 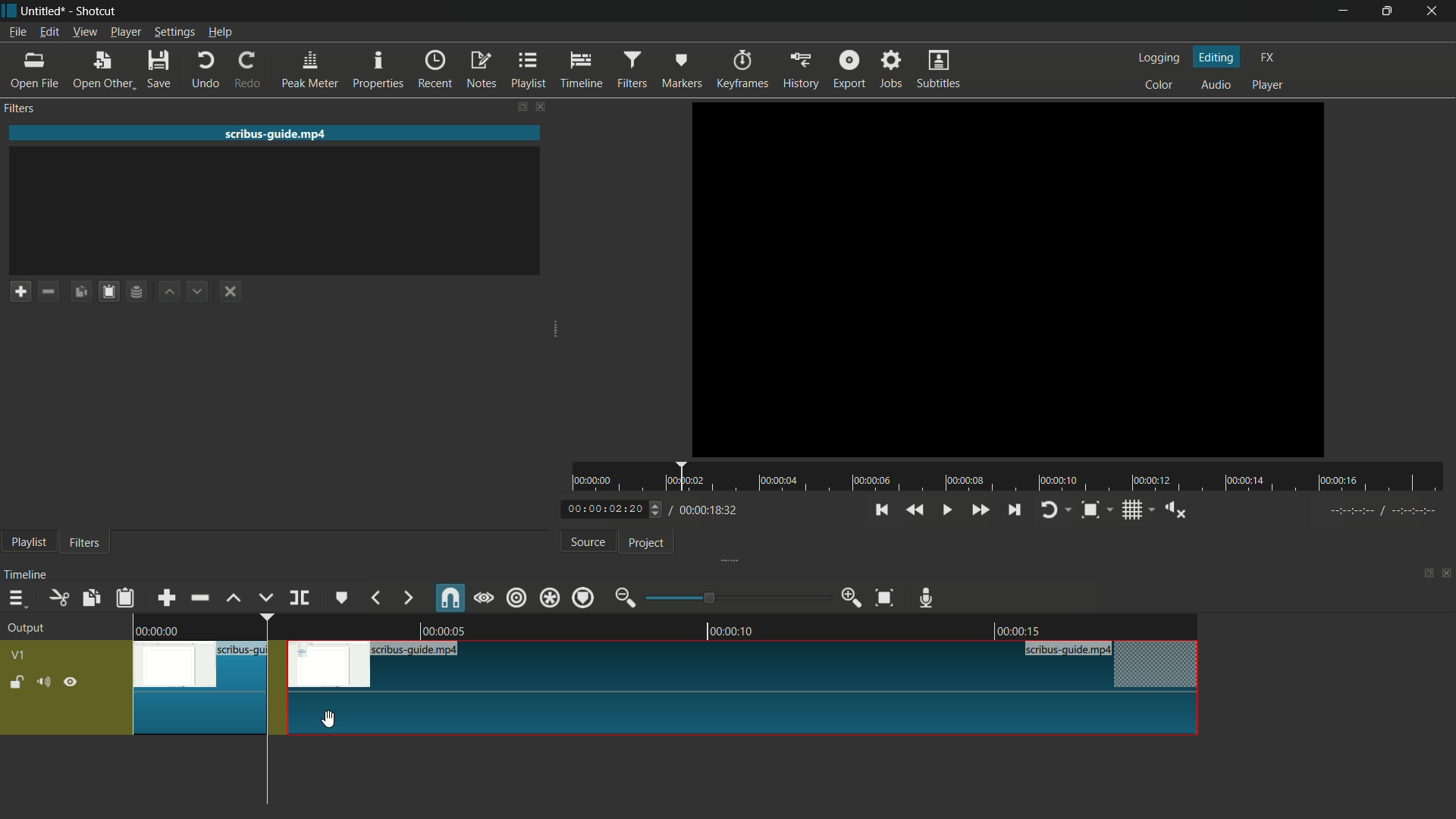 What do you see at coordinates (90, 599) in the screenshot?
I see `copy` at bounding box center [90, 599].